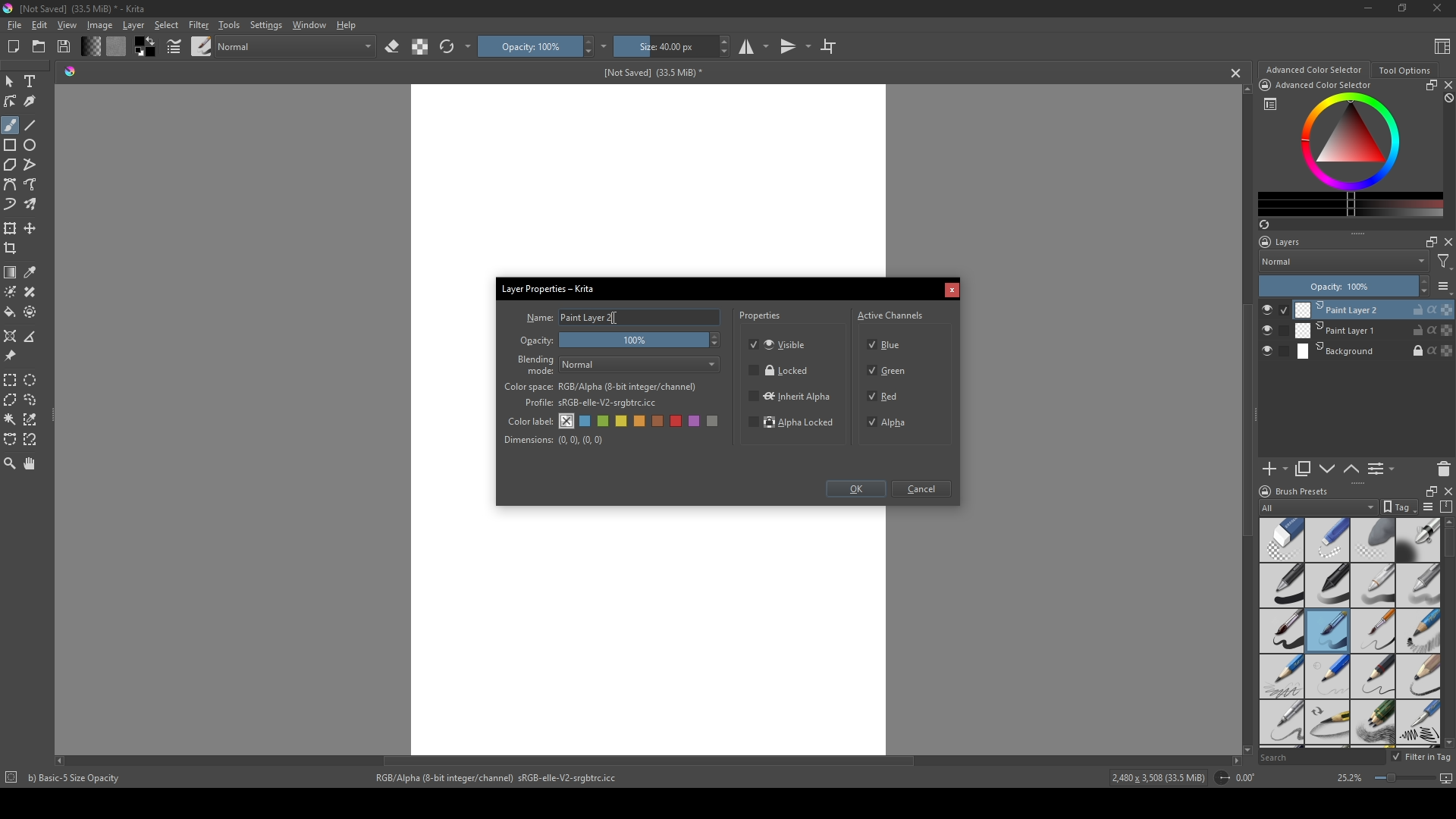 Image resolution: width=1456 pixels, height=819 pixels. What do you see at coordinates (14, 248) in the screenshot?
I see `crop` at bounding box center [14, 248].